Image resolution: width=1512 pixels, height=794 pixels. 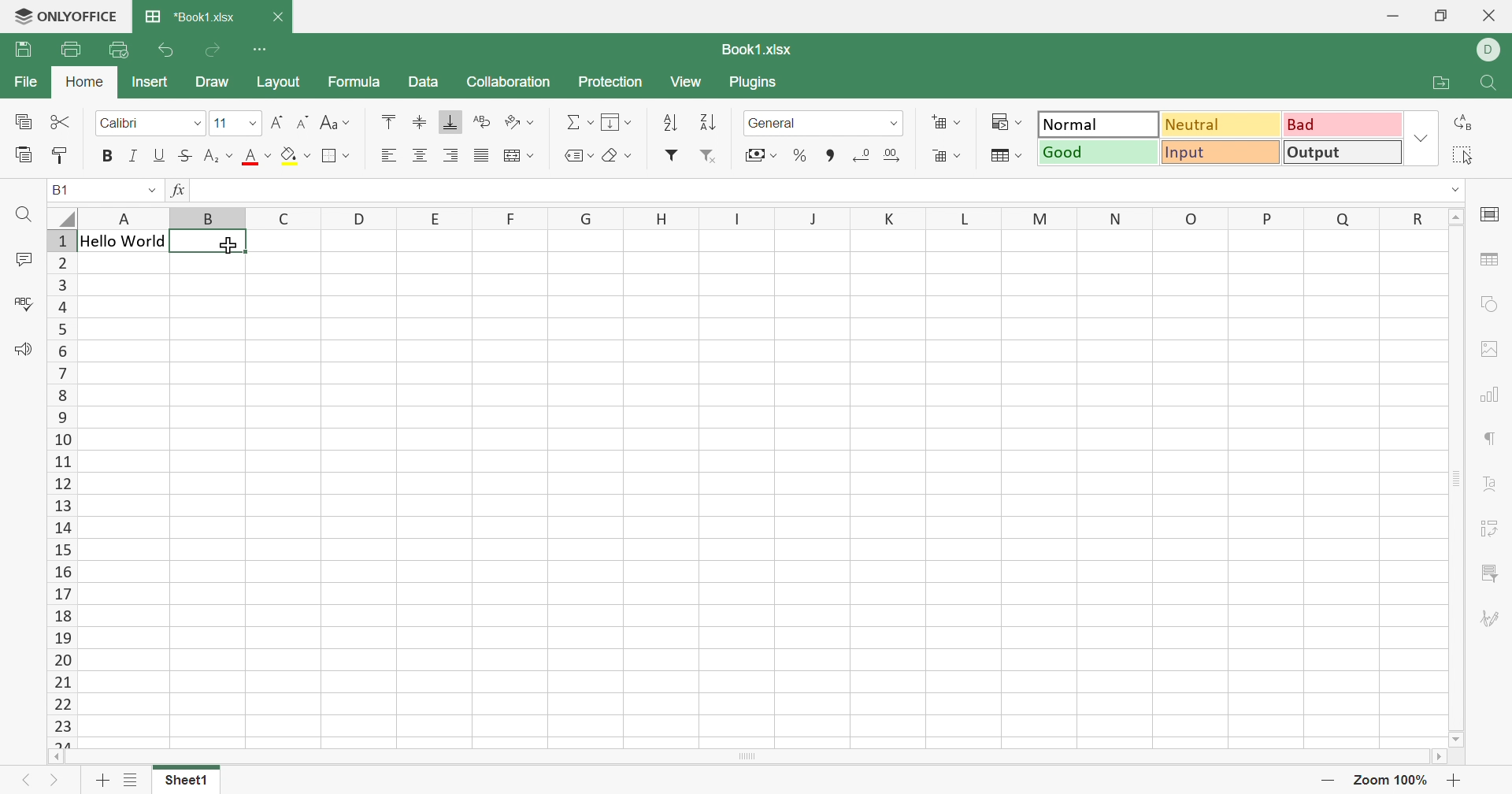 What do you see at coordinates (336, 121) in the screenshot?
I see `Change case` at bounding box center [336, 121].